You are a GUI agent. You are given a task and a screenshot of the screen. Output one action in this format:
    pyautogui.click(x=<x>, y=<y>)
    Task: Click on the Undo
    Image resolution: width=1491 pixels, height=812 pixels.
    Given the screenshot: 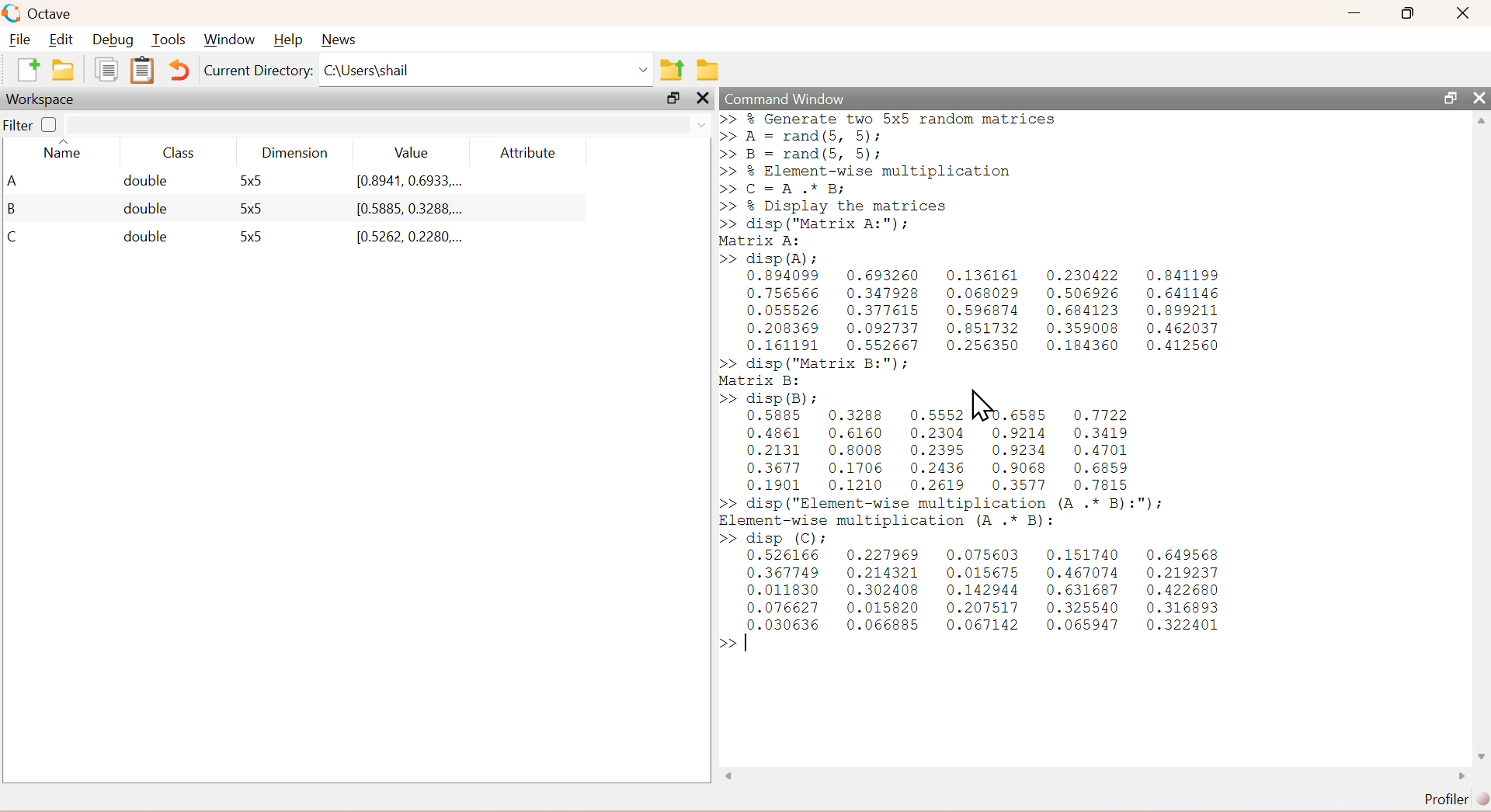 What is the action you would take?
    pyautogui.click(x=177, y=71)
    